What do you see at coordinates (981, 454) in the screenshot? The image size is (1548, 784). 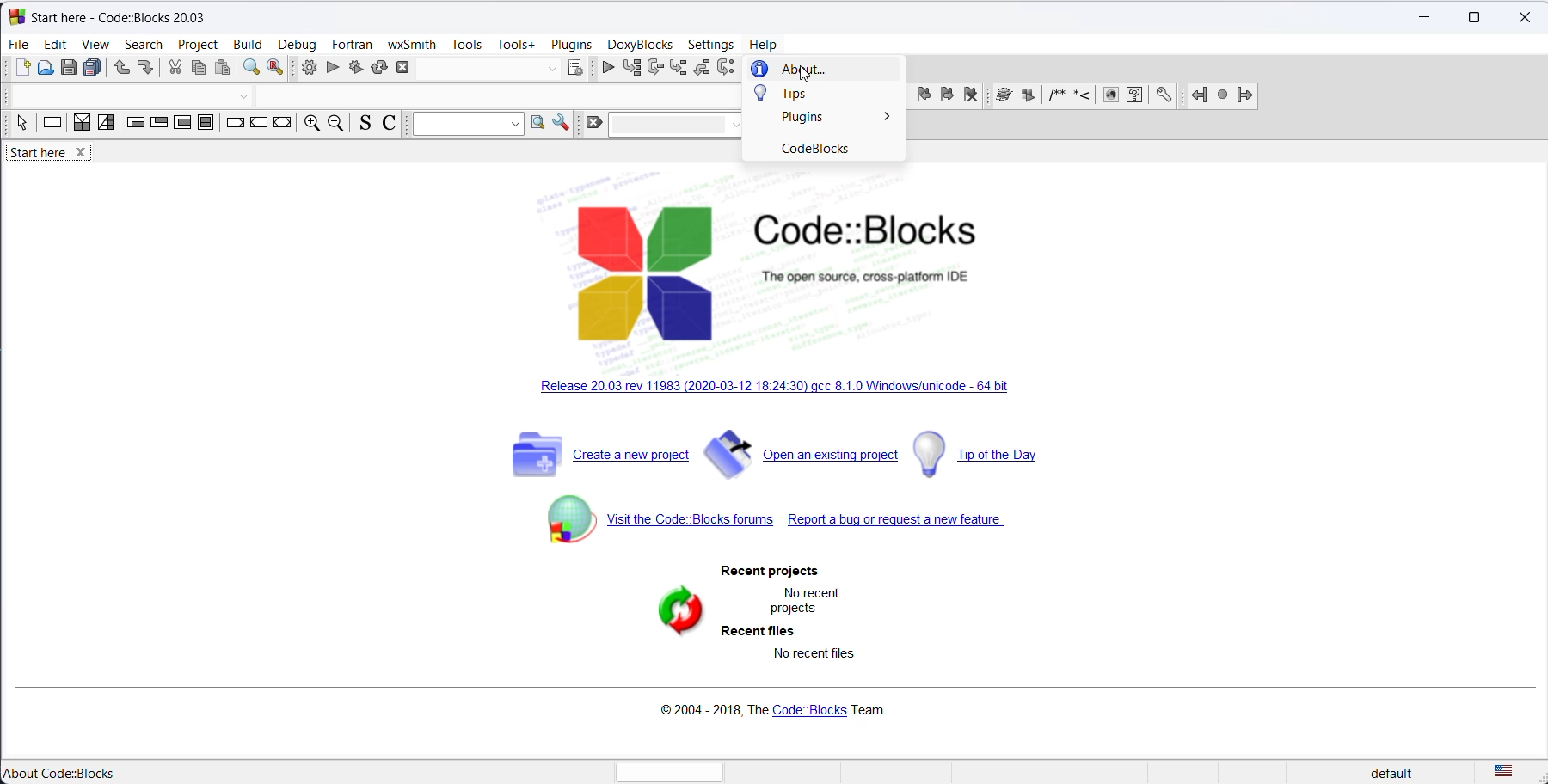 I see `tip of the day` at bounding box center [981, 454].